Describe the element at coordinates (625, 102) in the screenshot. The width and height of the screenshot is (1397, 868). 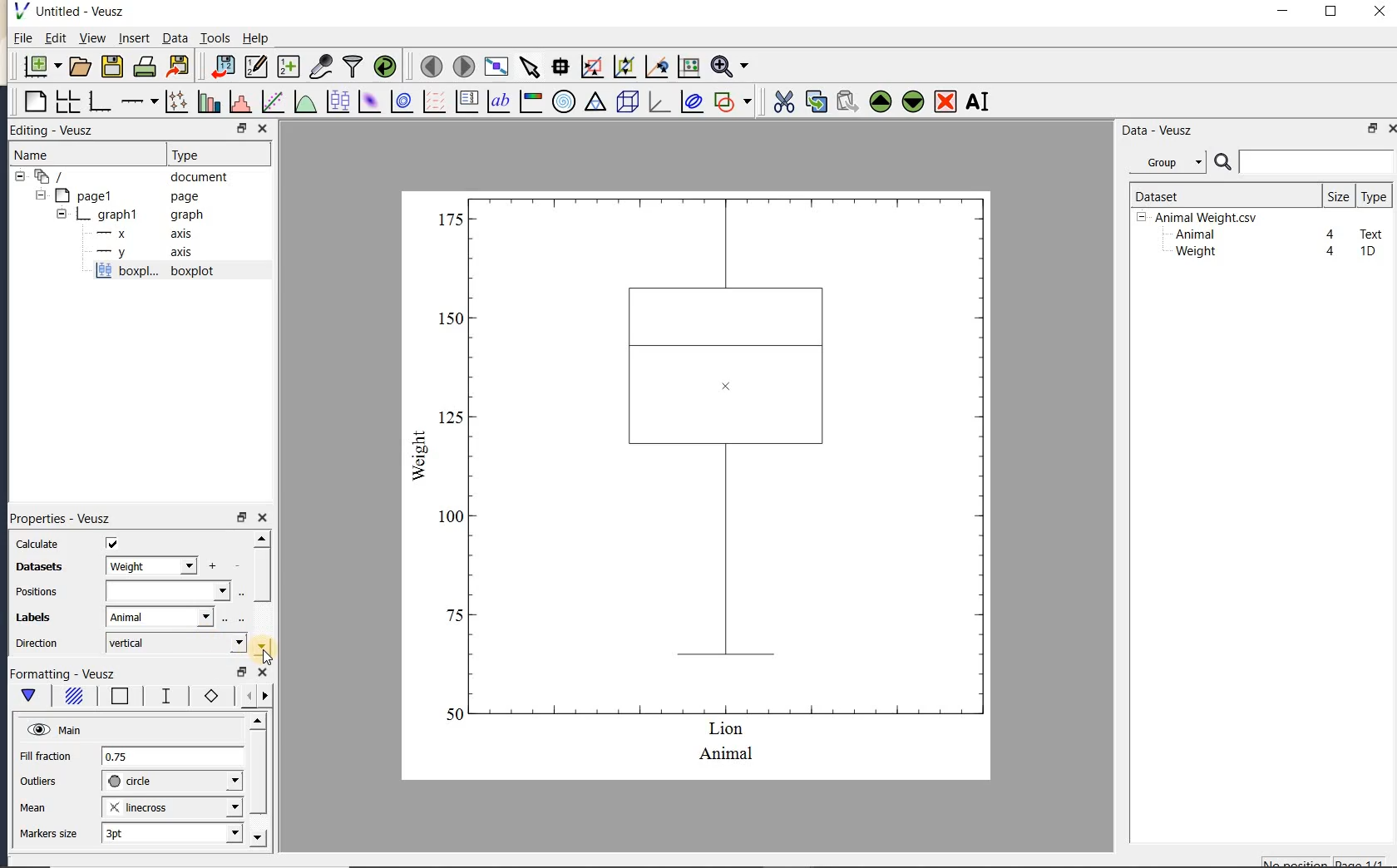
I see `3d scene` at that location.